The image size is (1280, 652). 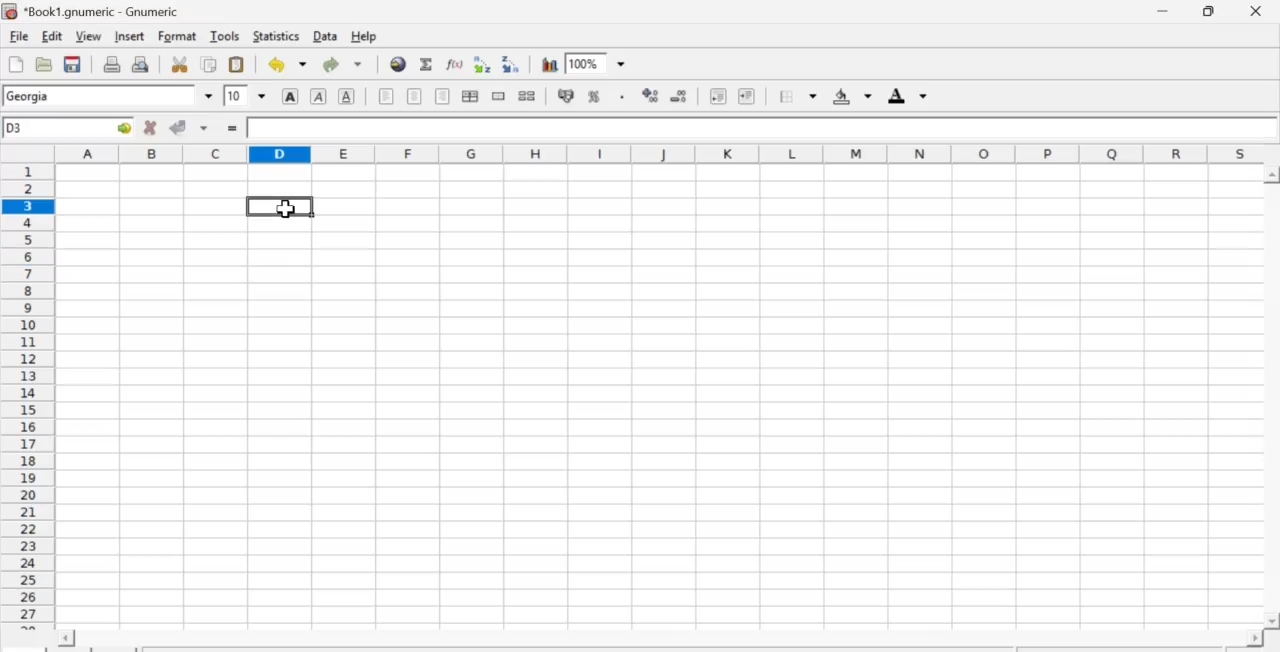 What do you see at coordinates (631, 394) in the screenshot?
I see `Worksheet` at bounding box center [631, 394].